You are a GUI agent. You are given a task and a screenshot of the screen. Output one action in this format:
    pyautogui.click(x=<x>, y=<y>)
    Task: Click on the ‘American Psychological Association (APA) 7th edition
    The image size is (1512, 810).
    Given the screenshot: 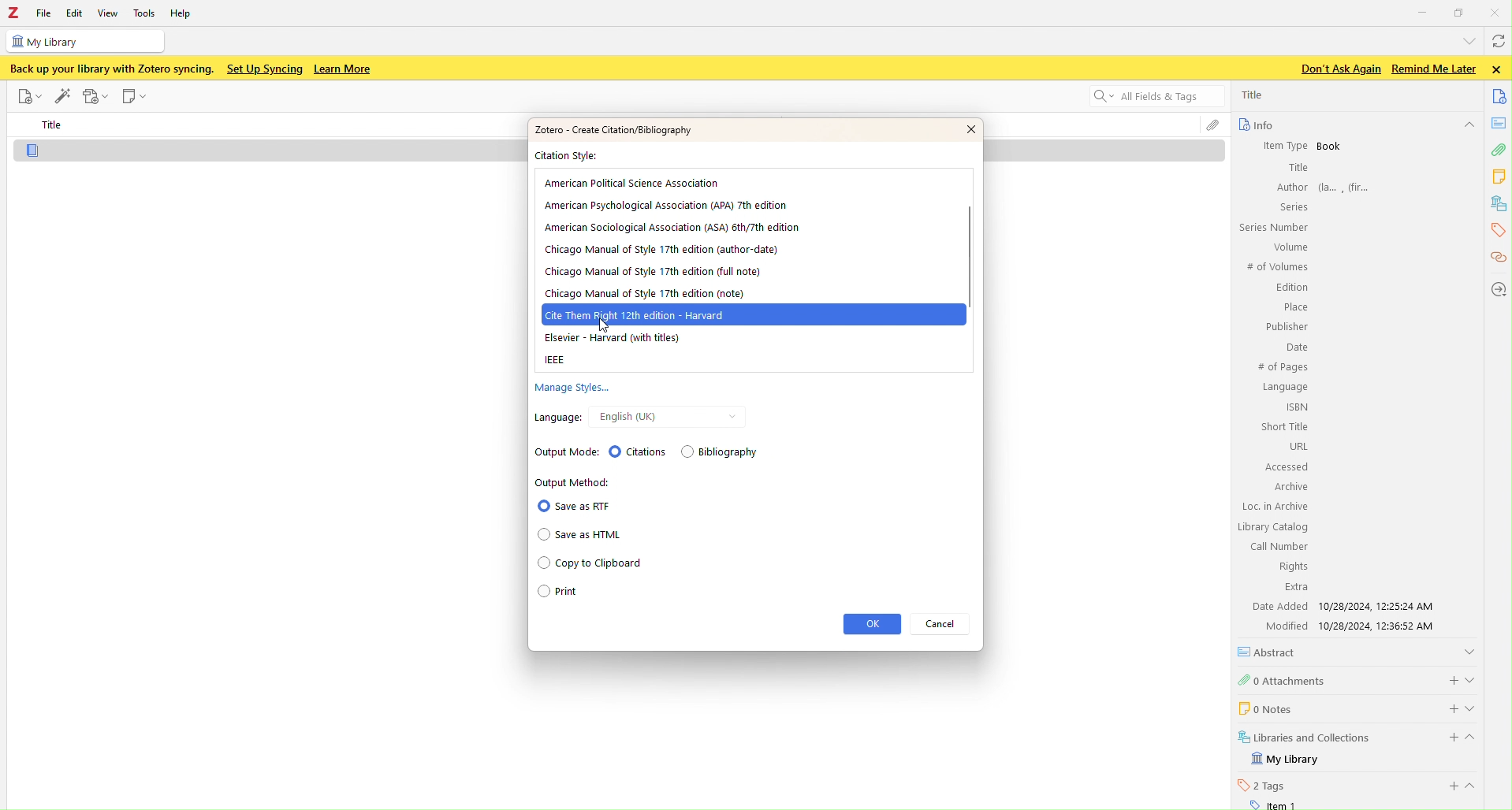 What is the action you would take?
    pyautogui.click(x=665, y=204)
    